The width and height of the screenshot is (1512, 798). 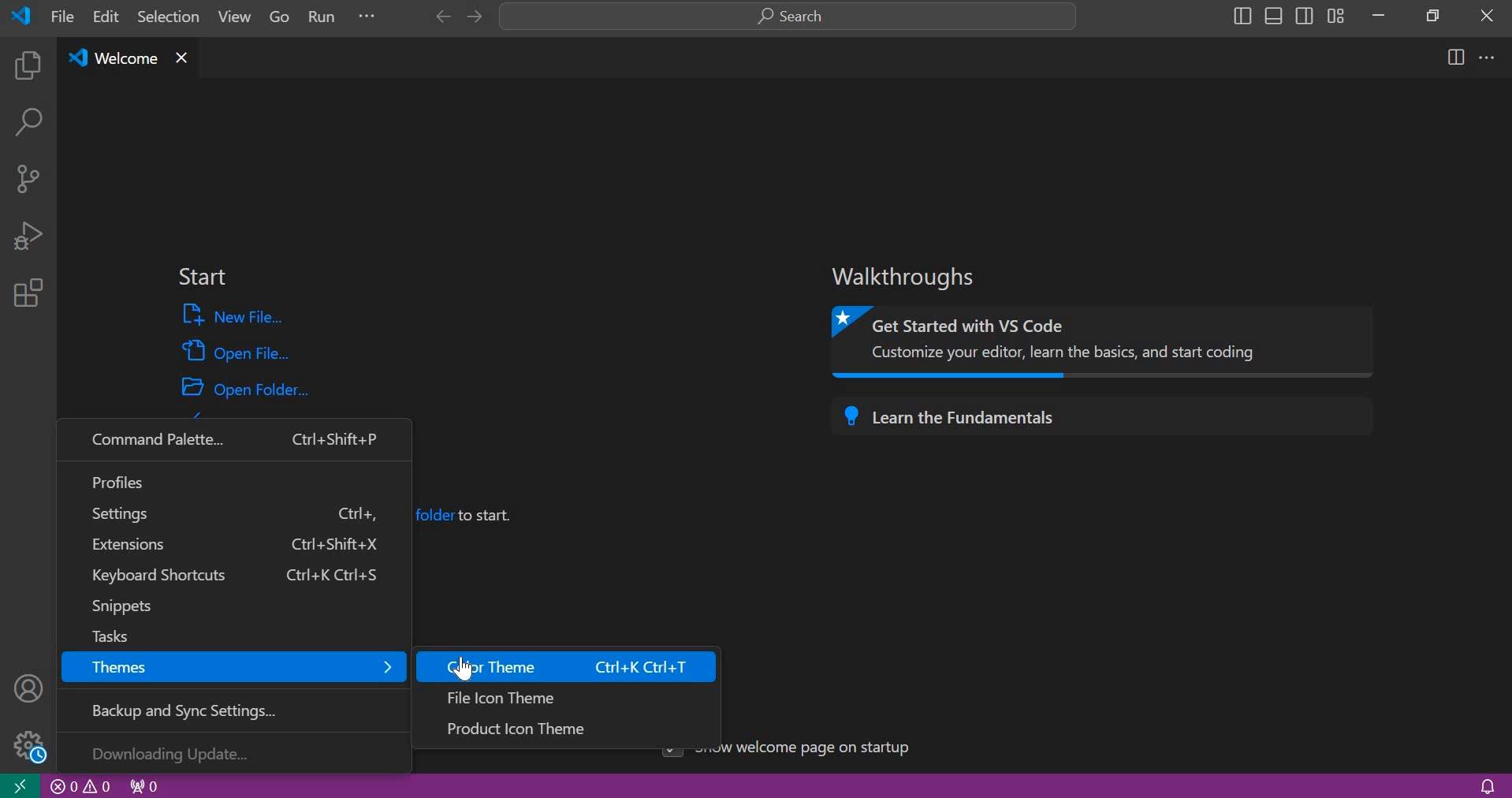 What do you see at coordinates (19, 785) in the screenshot?
I see `open a remote window` at bounding box center [19, 785].